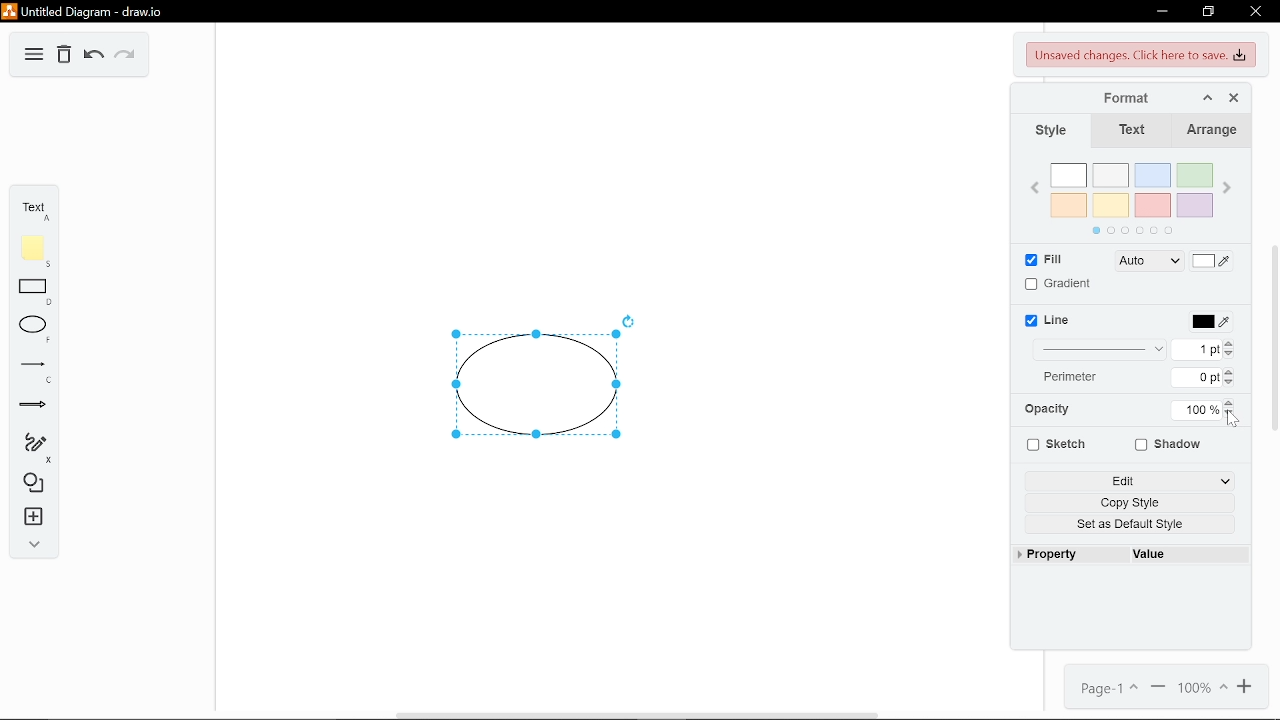 Image resolution: width=1280 pixels, height=720 pixels. What do you see at coordinates (1142, 55) in the screenshot?
I see `Unsaved chaanges` at bounding box center [1142, 55].